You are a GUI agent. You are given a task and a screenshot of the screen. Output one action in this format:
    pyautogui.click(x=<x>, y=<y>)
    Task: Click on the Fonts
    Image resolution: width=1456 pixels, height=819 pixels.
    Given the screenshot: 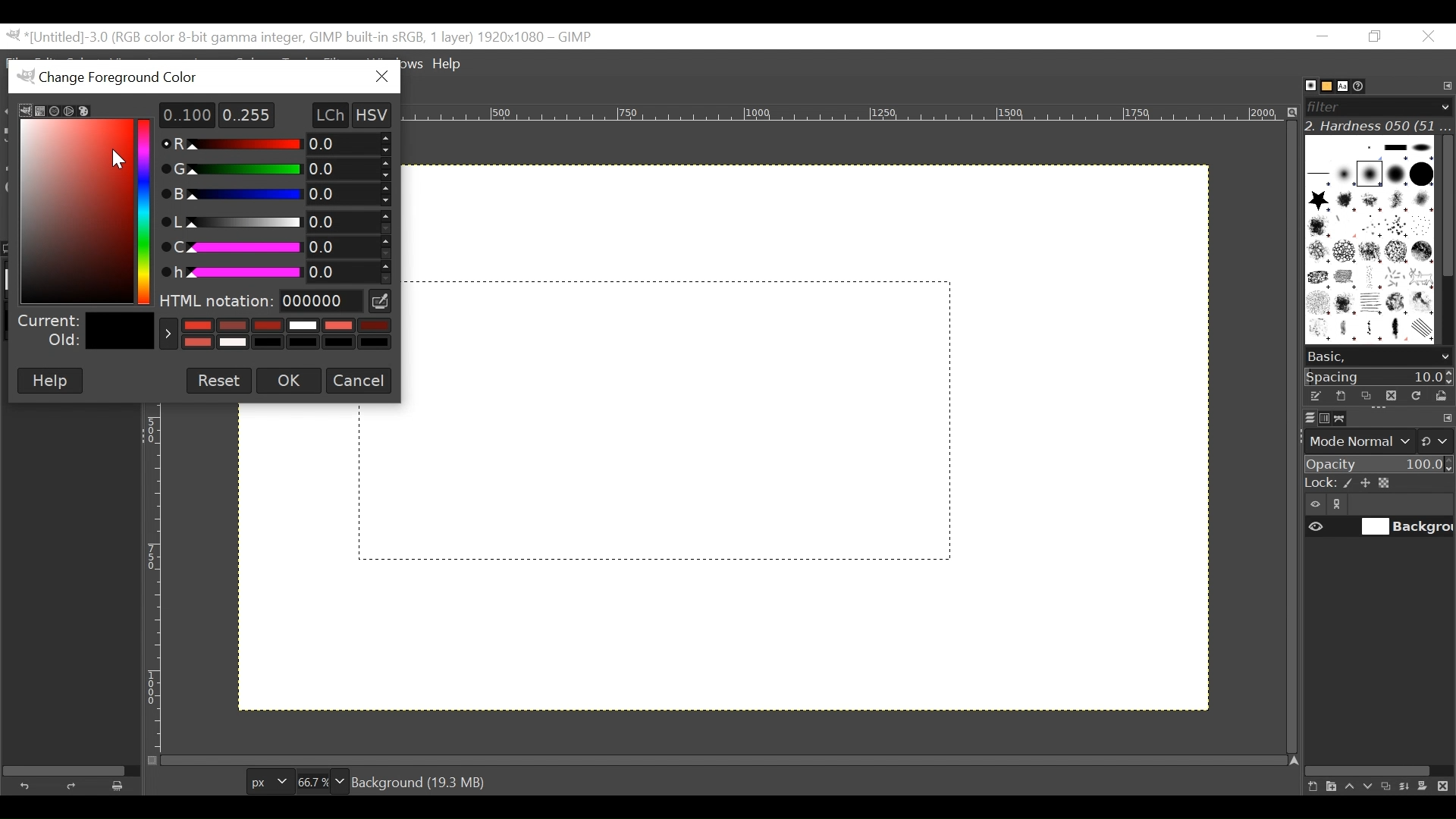 What is the action you would take?
    pyautogui.click(x=1345, y=85)
    